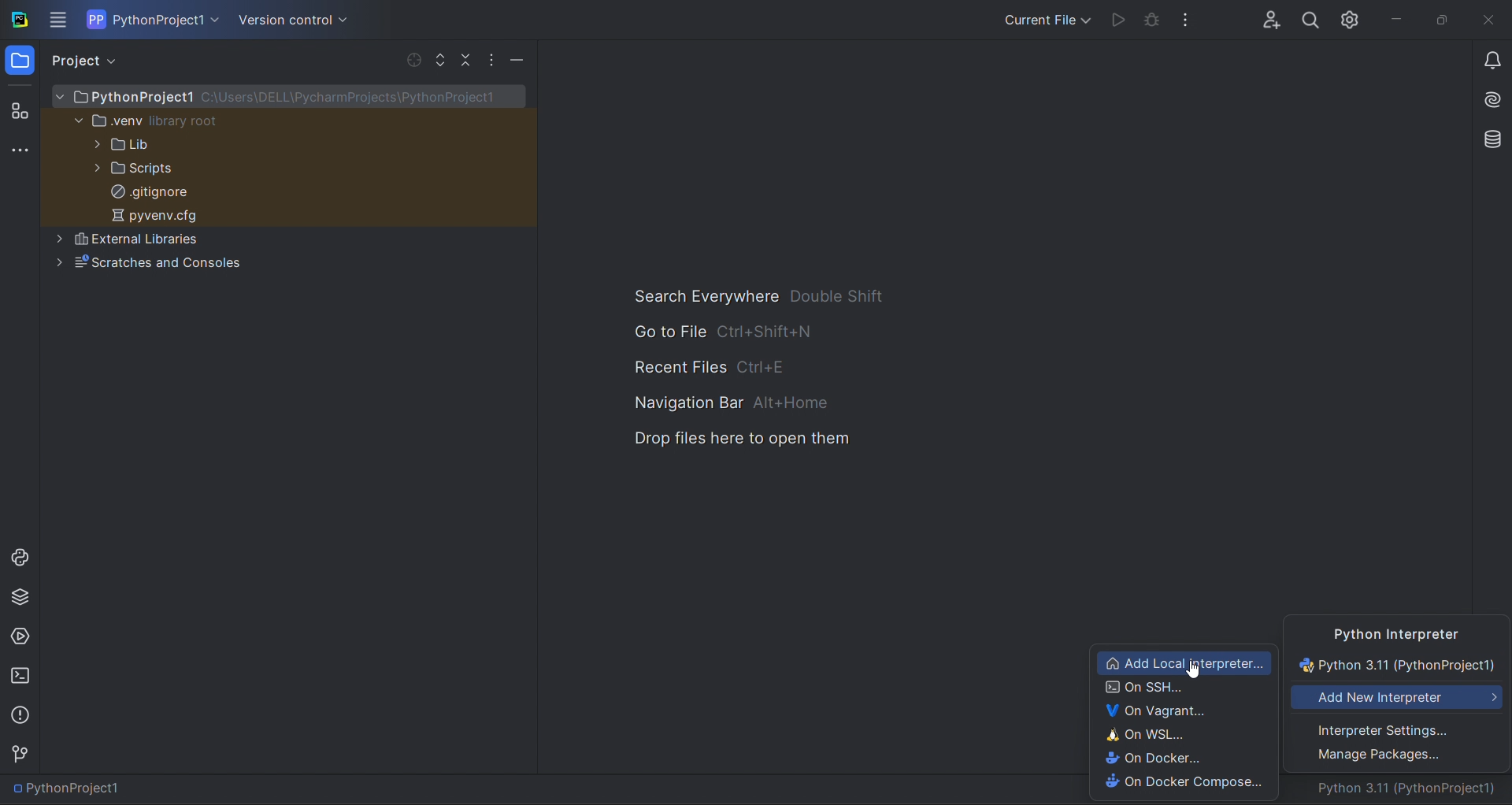 This screenshot has height=805, width=1512. I want to click on hotkey options, so click(760, 369).